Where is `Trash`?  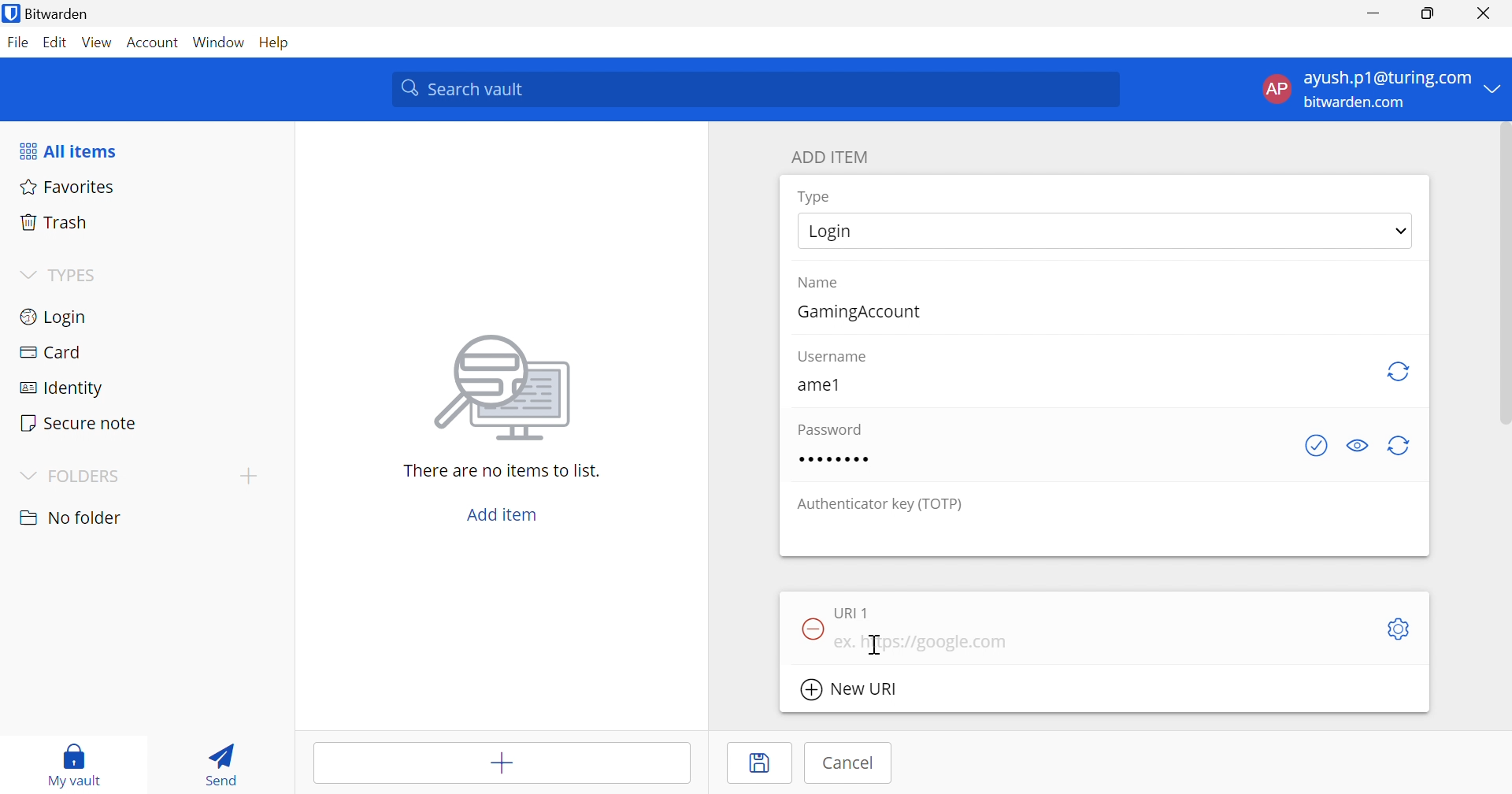 Trash is located at coordinates (59, 224).